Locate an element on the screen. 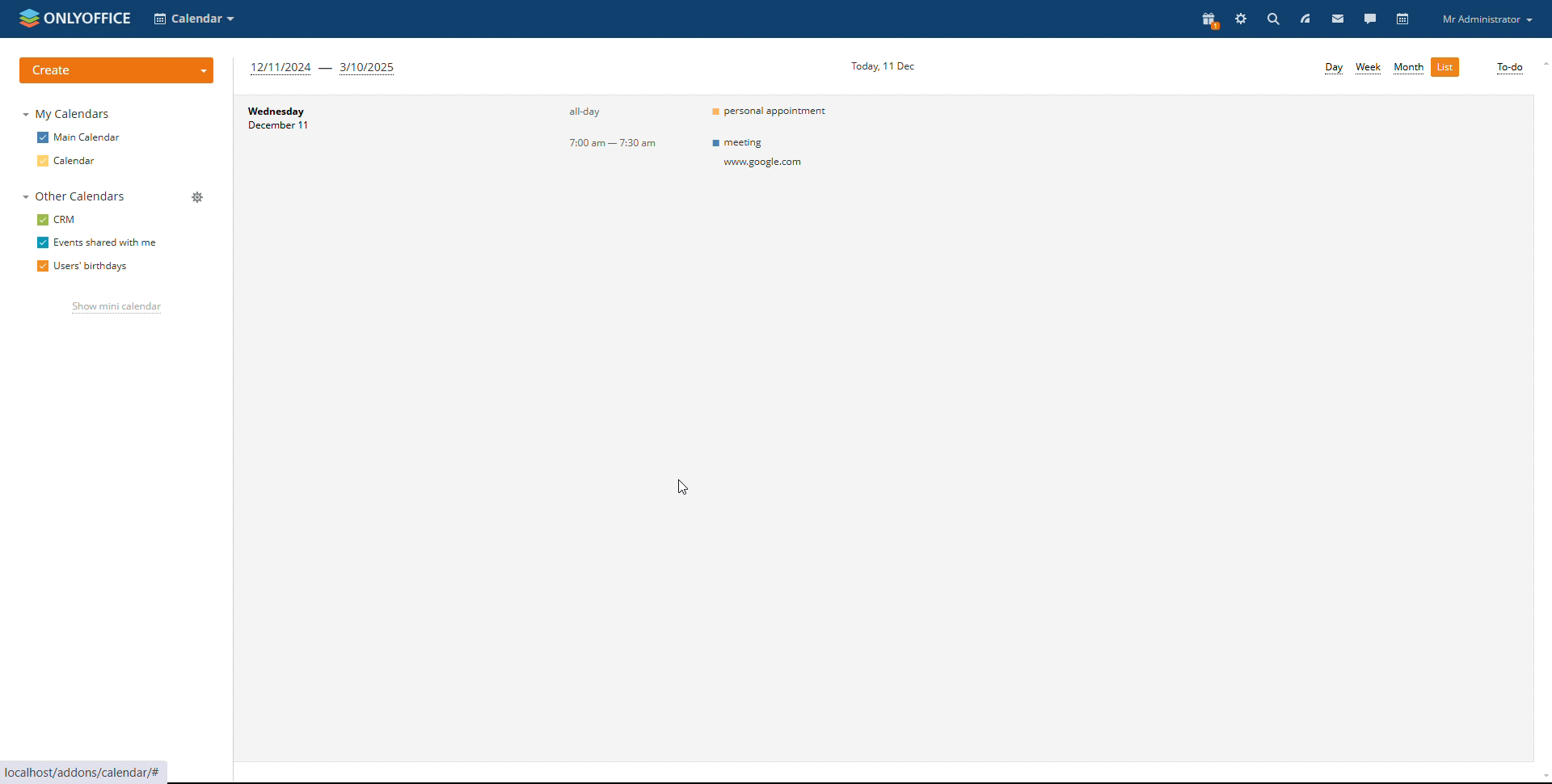 The height and width of the screenshot is (784, 1552). feed is located at coordinates (1304, 19).